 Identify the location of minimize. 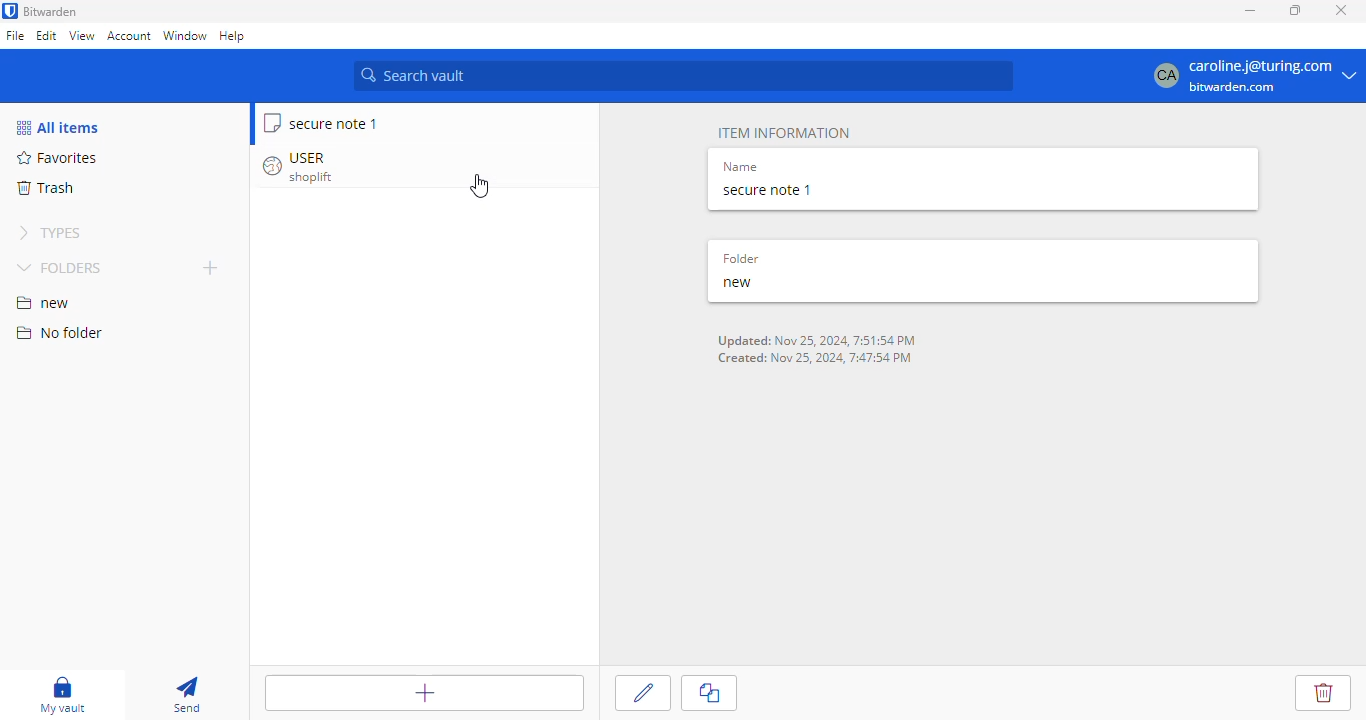
(1250, 11).